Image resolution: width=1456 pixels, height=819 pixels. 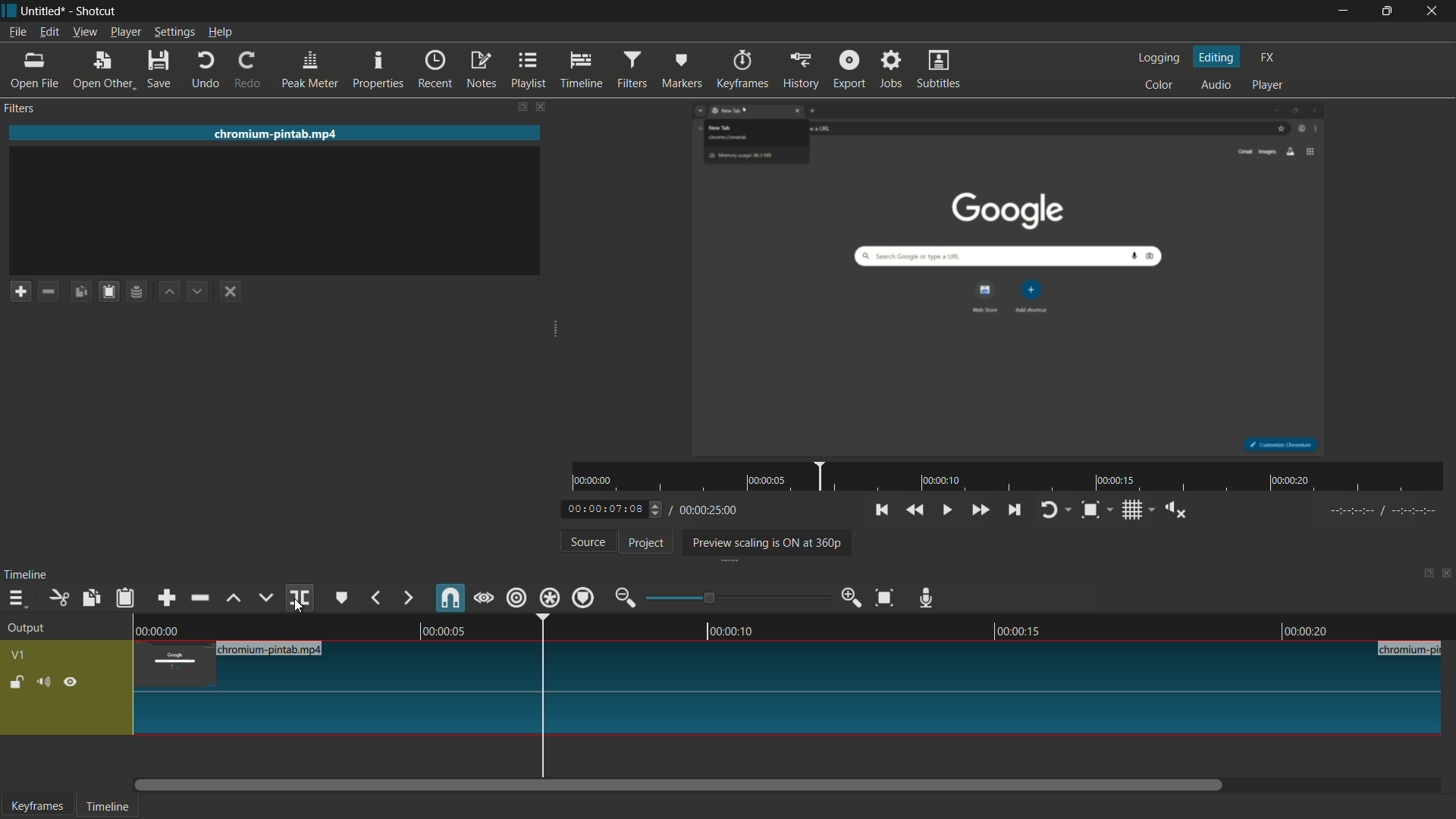 What do you see at coordinates (342, 598) in the screenshot?
I see `create or edit marker` at bounding box center [342, 598].